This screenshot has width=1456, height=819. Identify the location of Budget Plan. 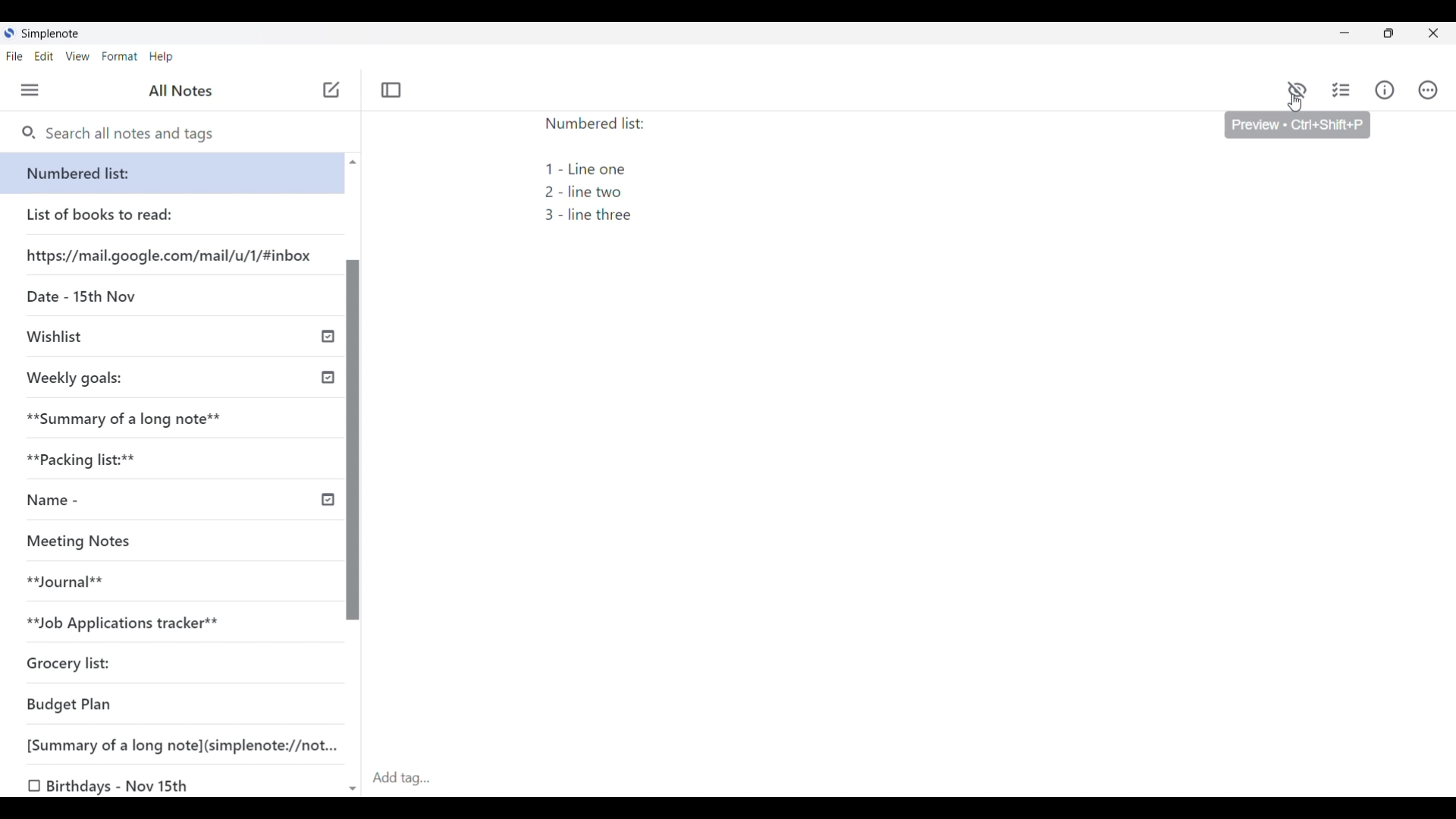
(77, 704).